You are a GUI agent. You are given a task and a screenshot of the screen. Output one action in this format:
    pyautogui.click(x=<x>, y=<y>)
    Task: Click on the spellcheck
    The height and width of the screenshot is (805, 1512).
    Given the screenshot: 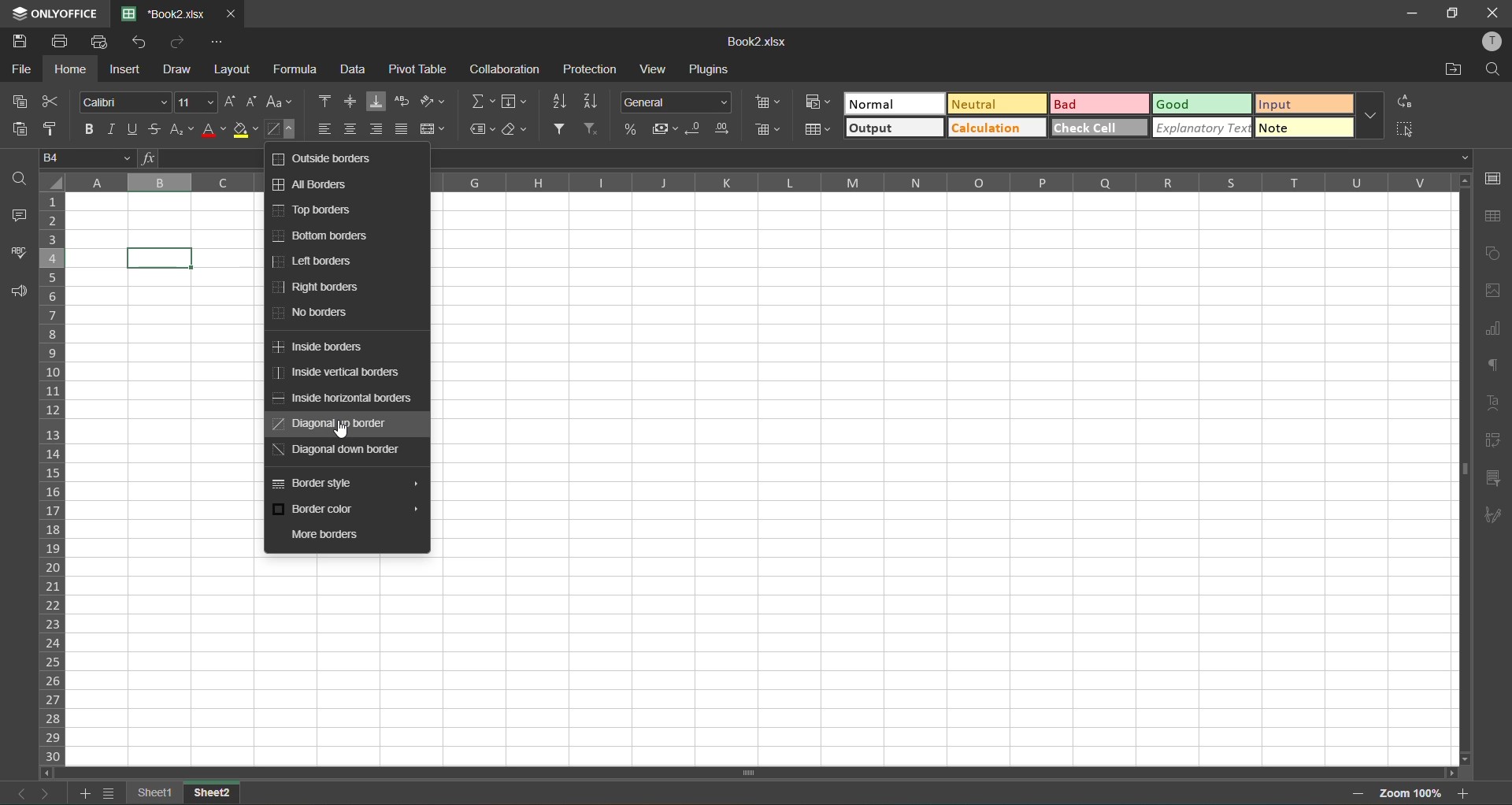 What is the action you would take?
    pyautogui.click(x=16, y=254)
    